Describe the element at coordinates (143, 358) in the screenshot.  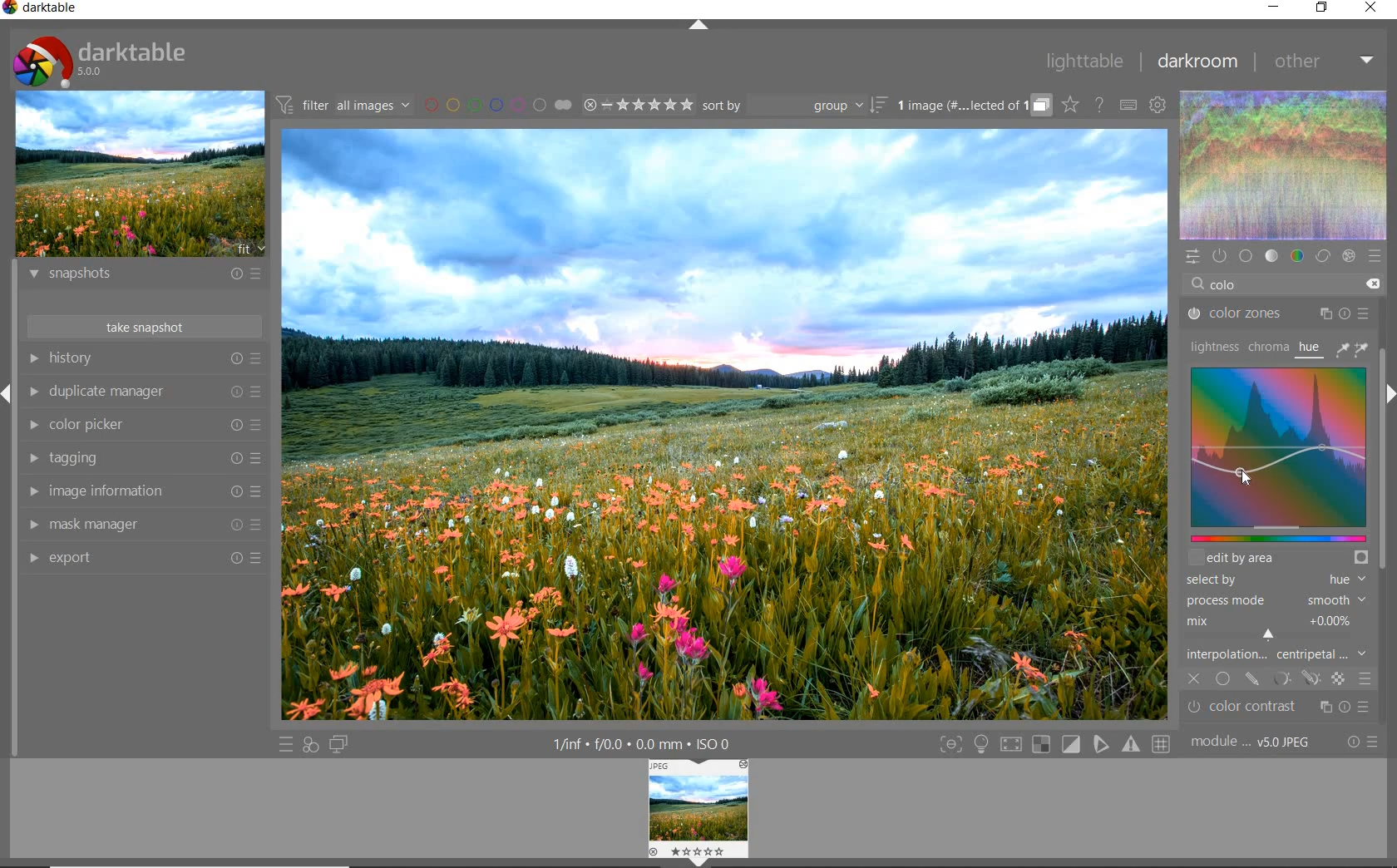
I see `history` at that location.